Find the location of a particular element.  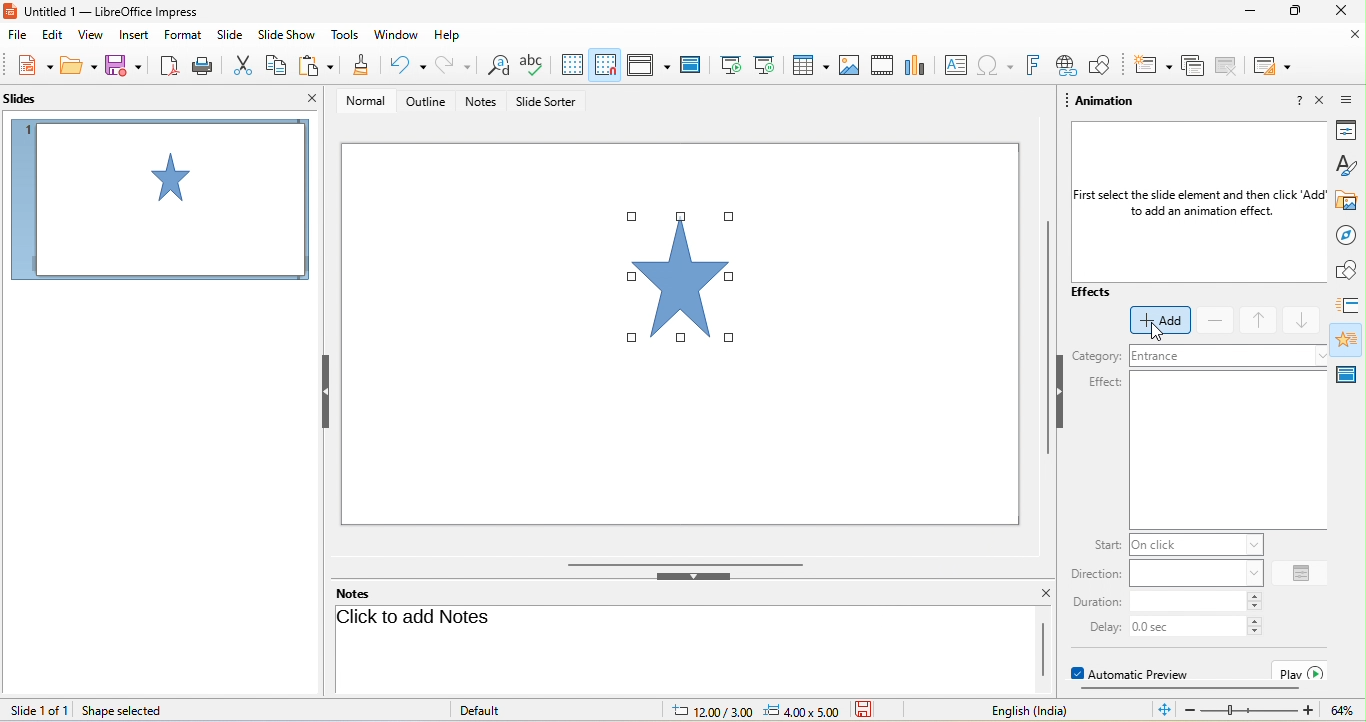

scrollbar is located at coordinates (1043, 650).